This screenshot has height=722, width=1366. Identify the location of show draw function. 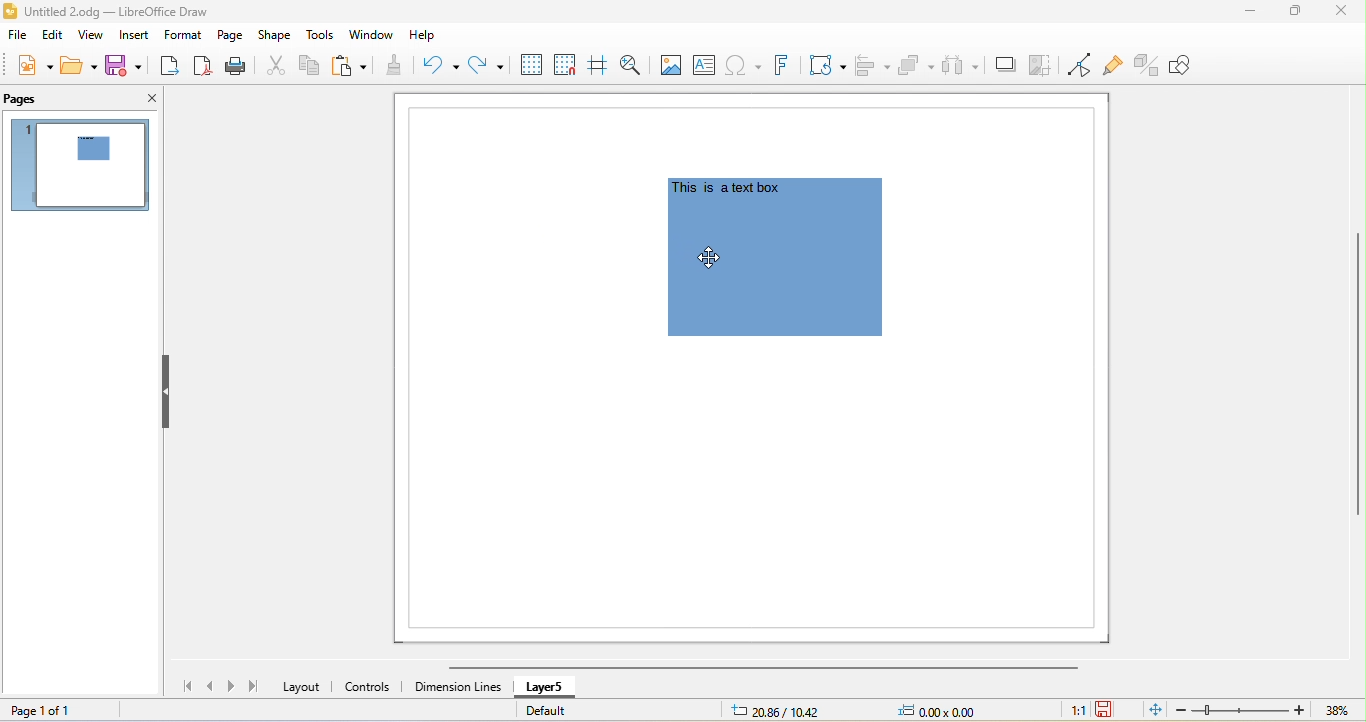
(1191, 66).